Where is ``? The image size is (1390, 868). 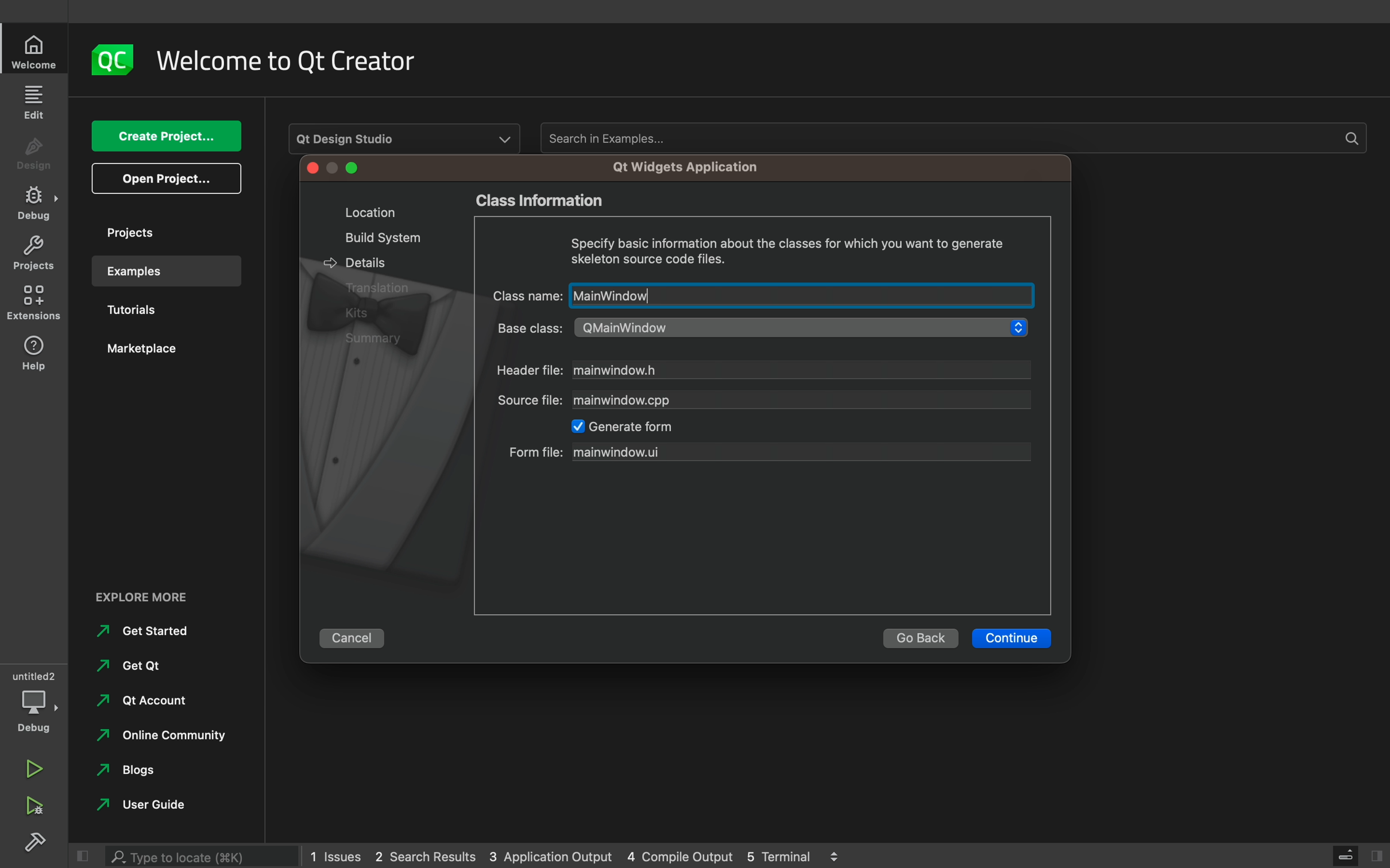
 is located at coordinates (34, 203).